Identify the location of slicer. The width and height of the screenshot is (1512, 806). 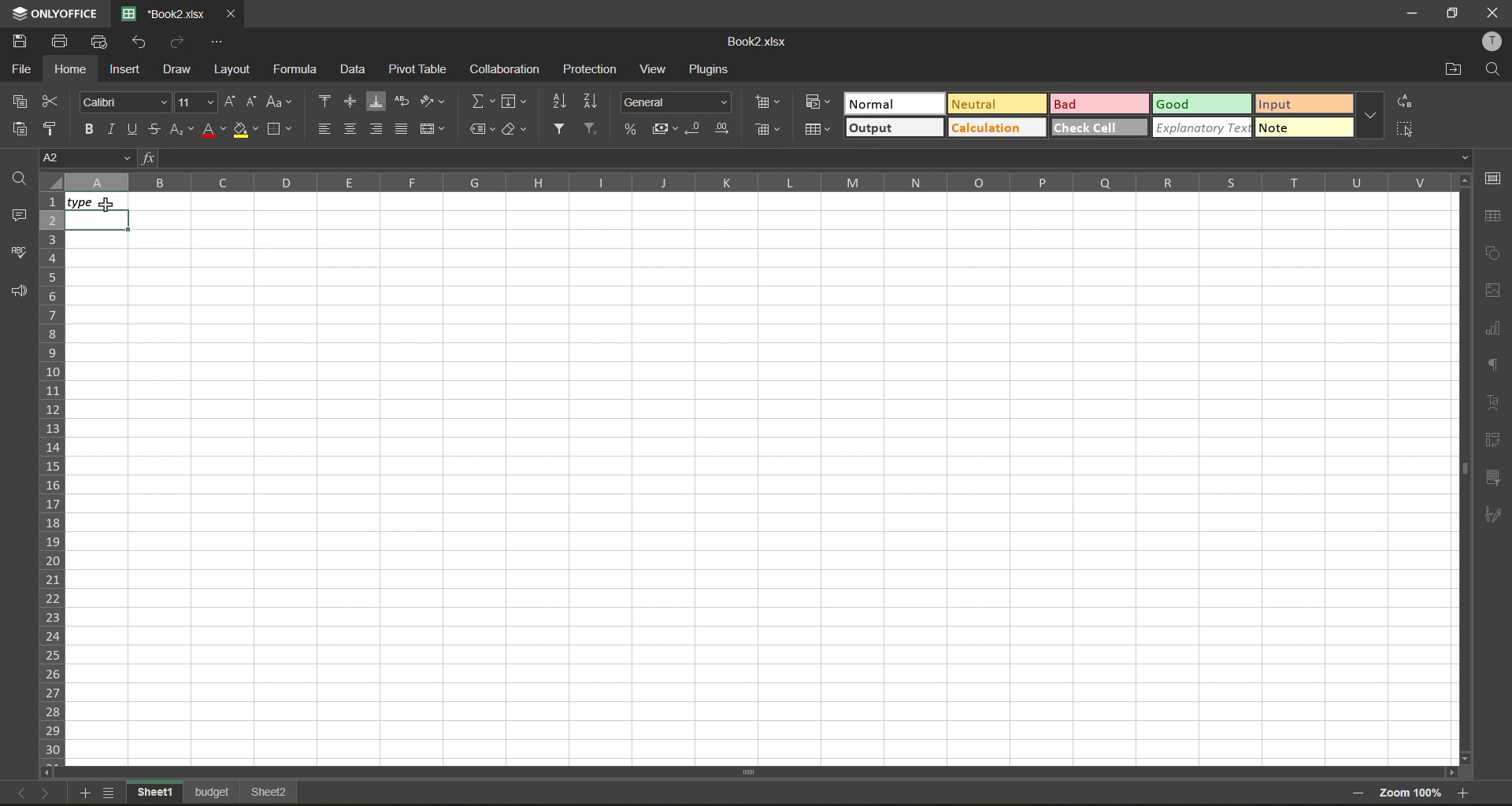
(1496, 478).